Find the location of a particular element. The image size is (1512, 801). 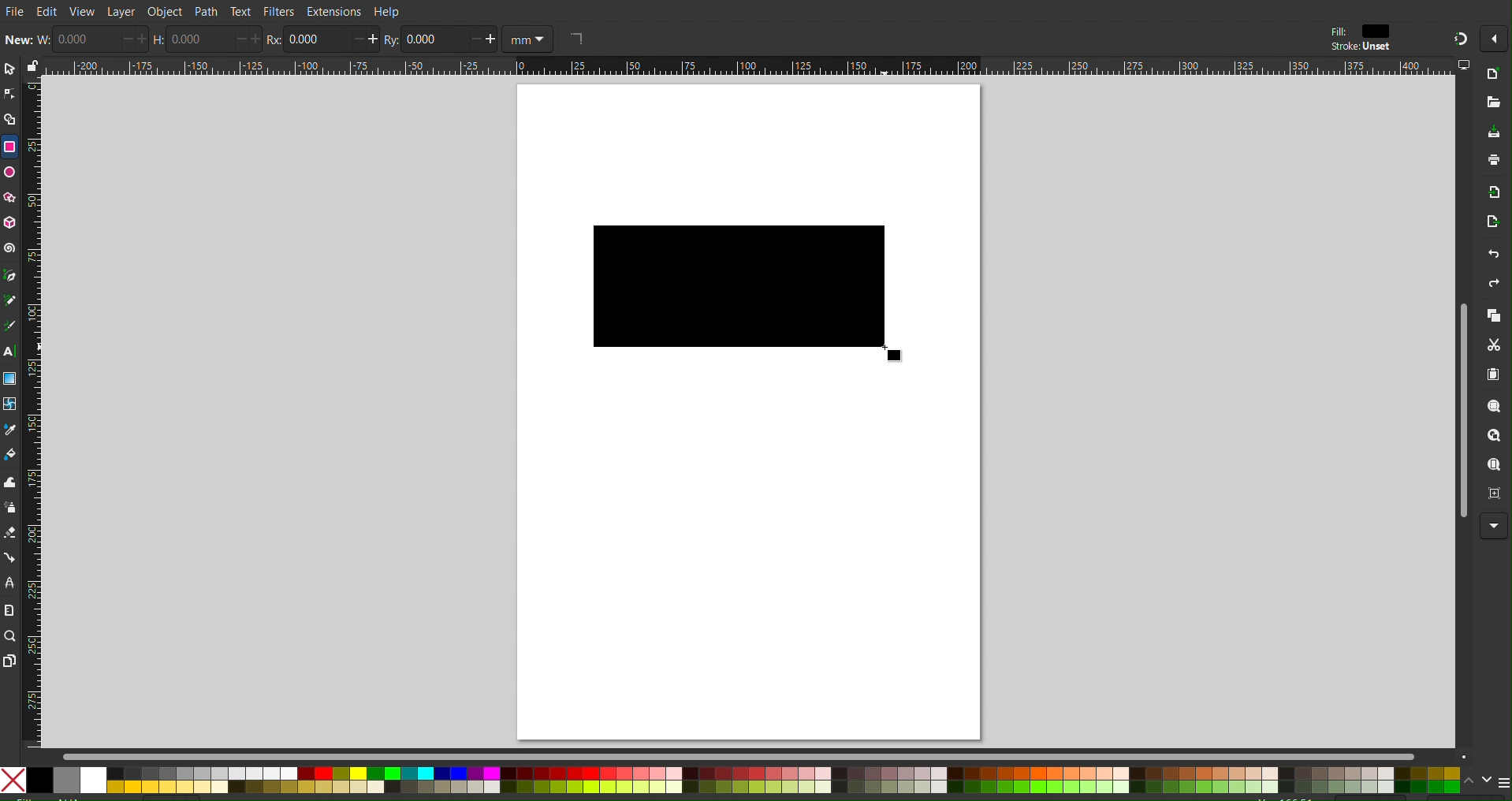

Zoom Drawing is located at coordinates (1496, 438).